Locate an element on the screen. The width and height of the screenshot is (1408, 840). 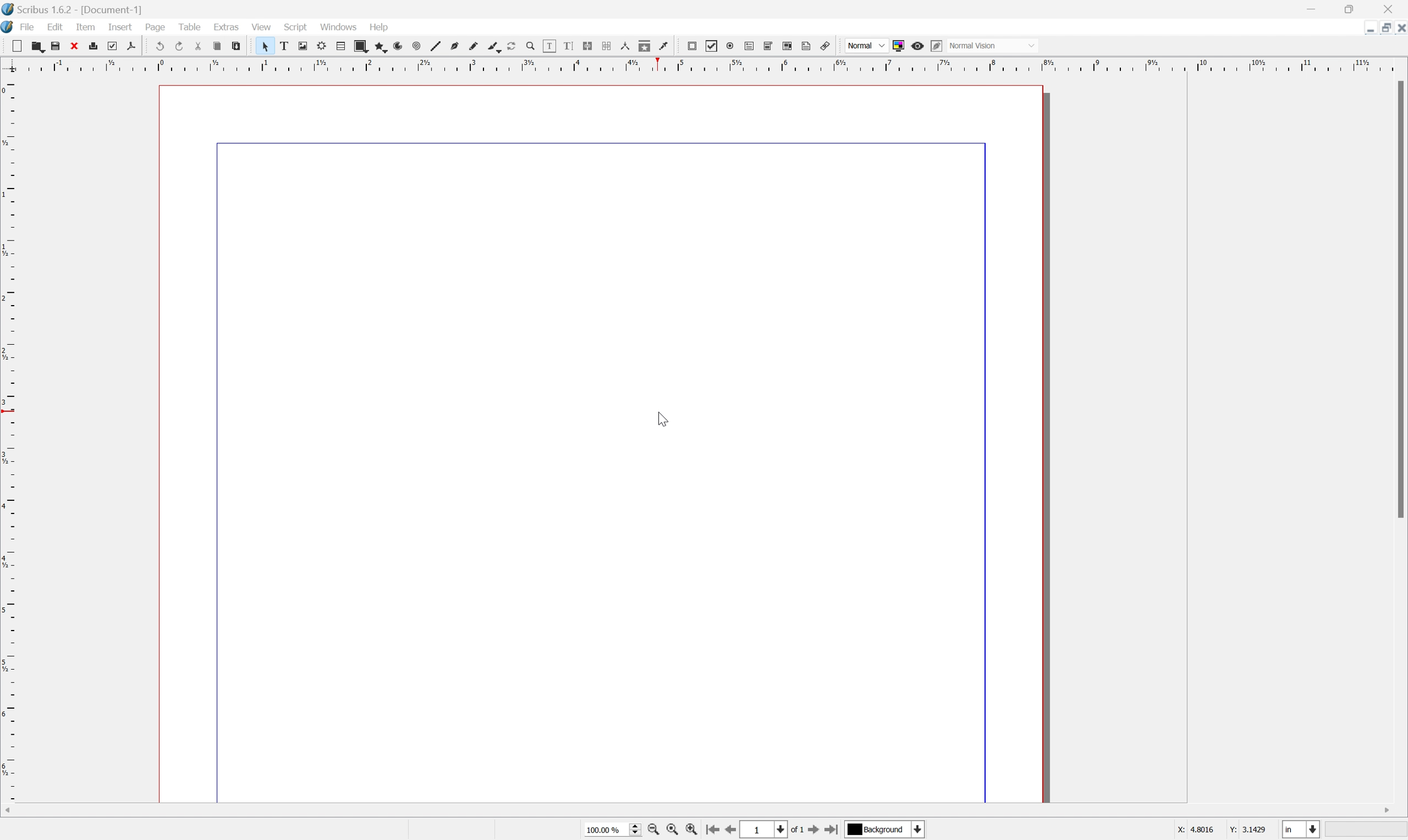
close is located at coordinates (1395, 7).